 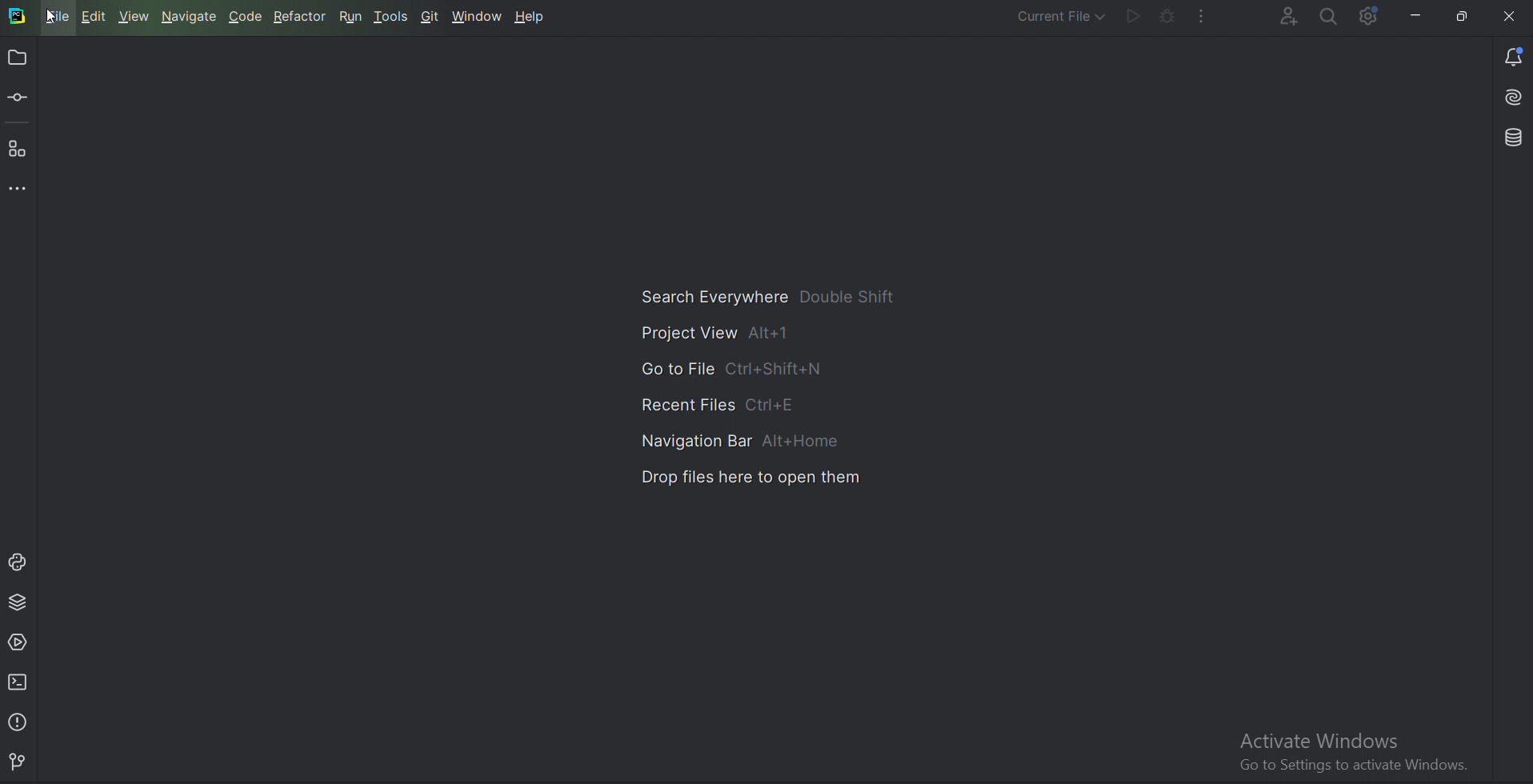 I want to click on Run, so click(x=1134, y=16).